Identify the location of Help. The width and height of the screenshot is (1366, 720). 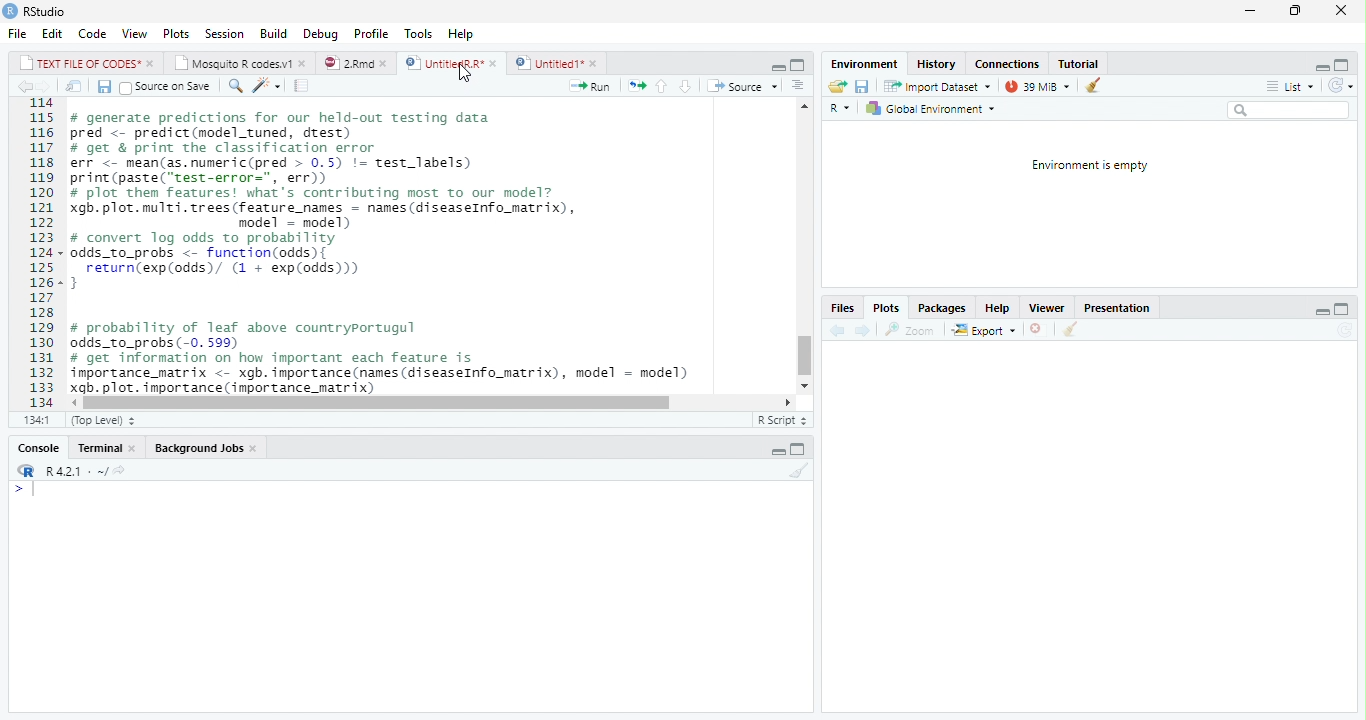
(995, 307).